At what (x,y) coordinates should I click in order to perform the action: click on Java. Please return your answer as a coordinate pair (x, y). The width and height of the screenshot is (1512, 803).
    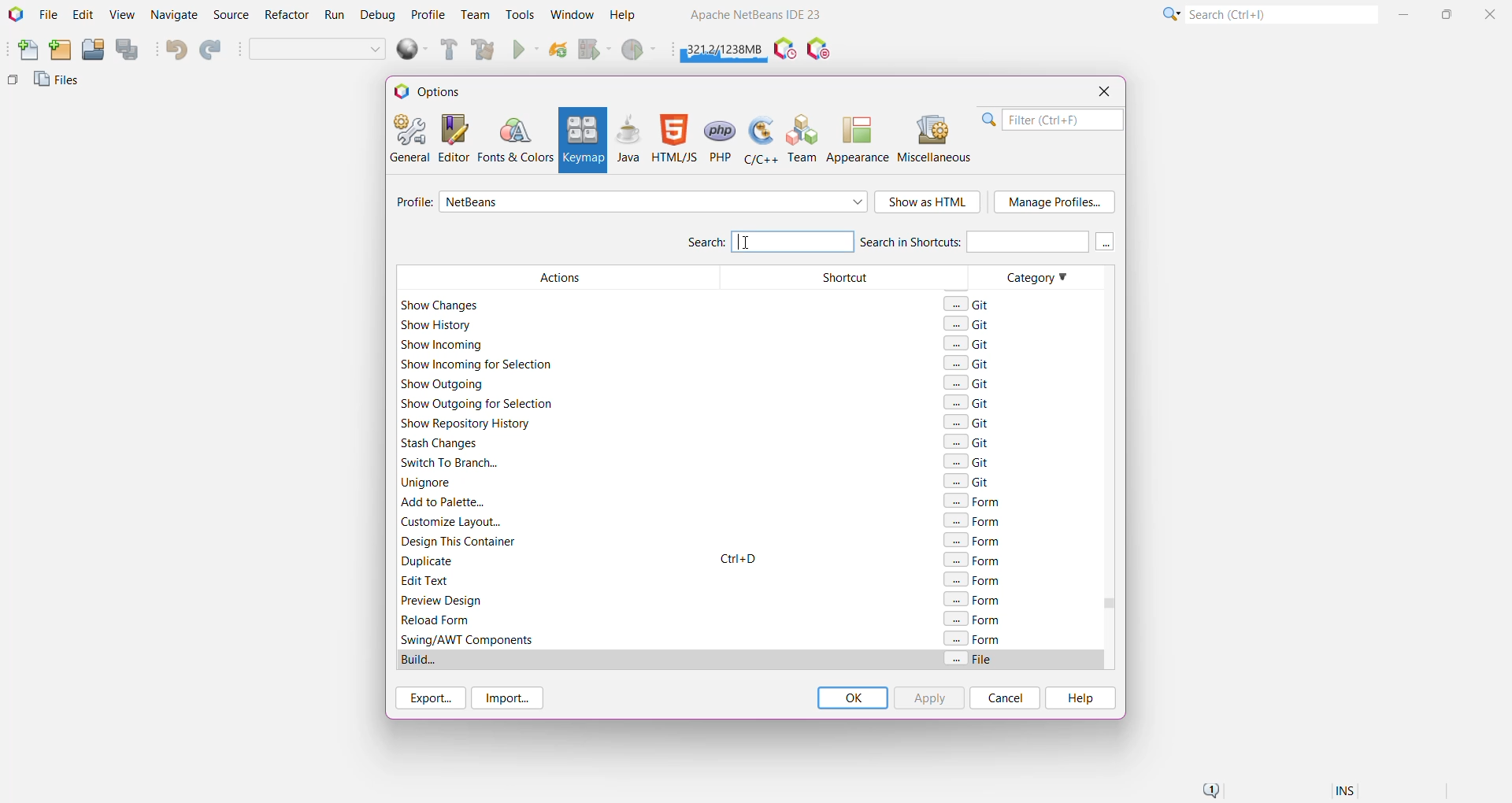
    Looking at the image, I should click on (628, 139).